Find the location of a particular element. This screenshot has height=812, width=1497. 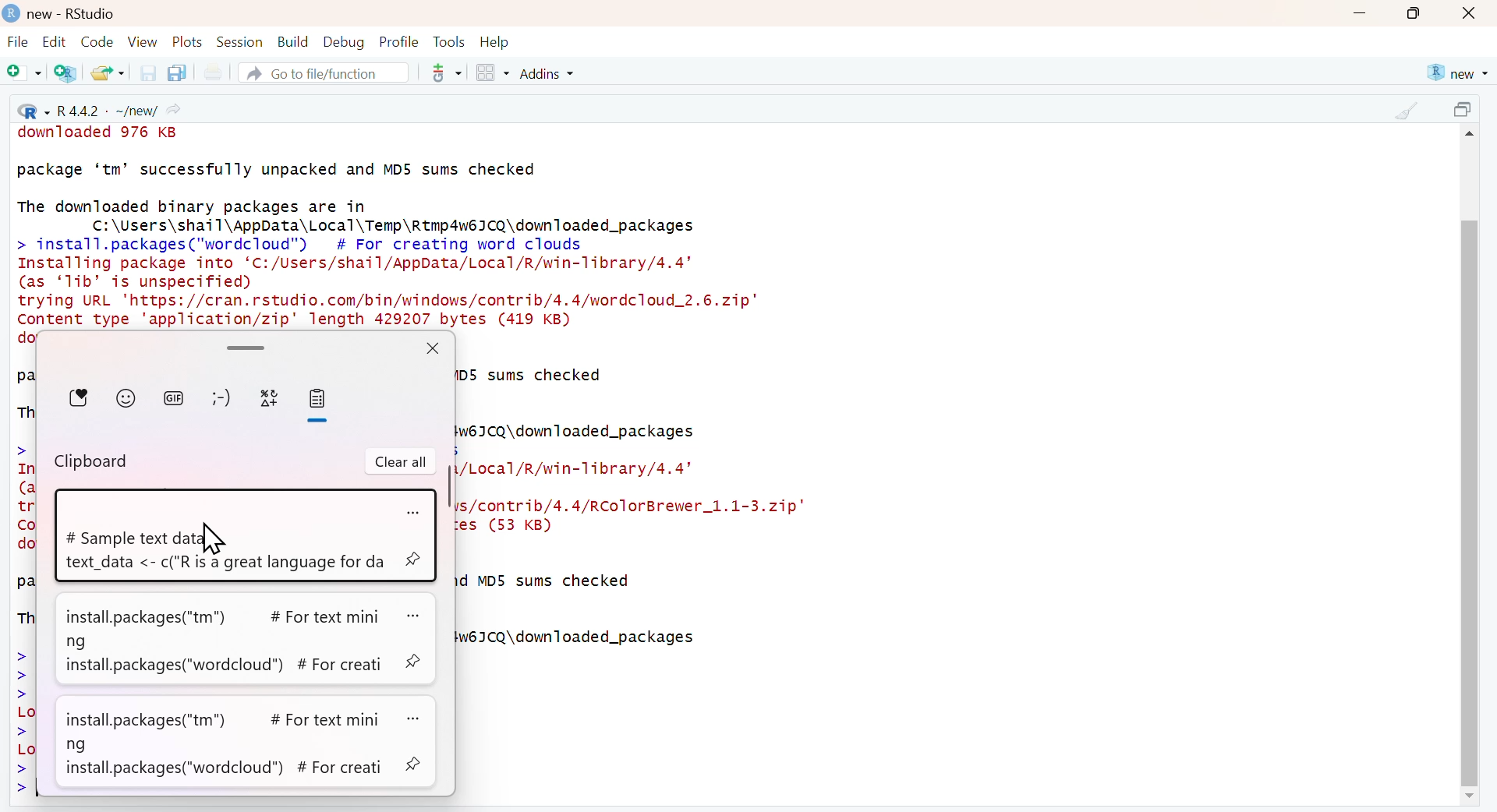

Tools is located at coordinates (451, 42).